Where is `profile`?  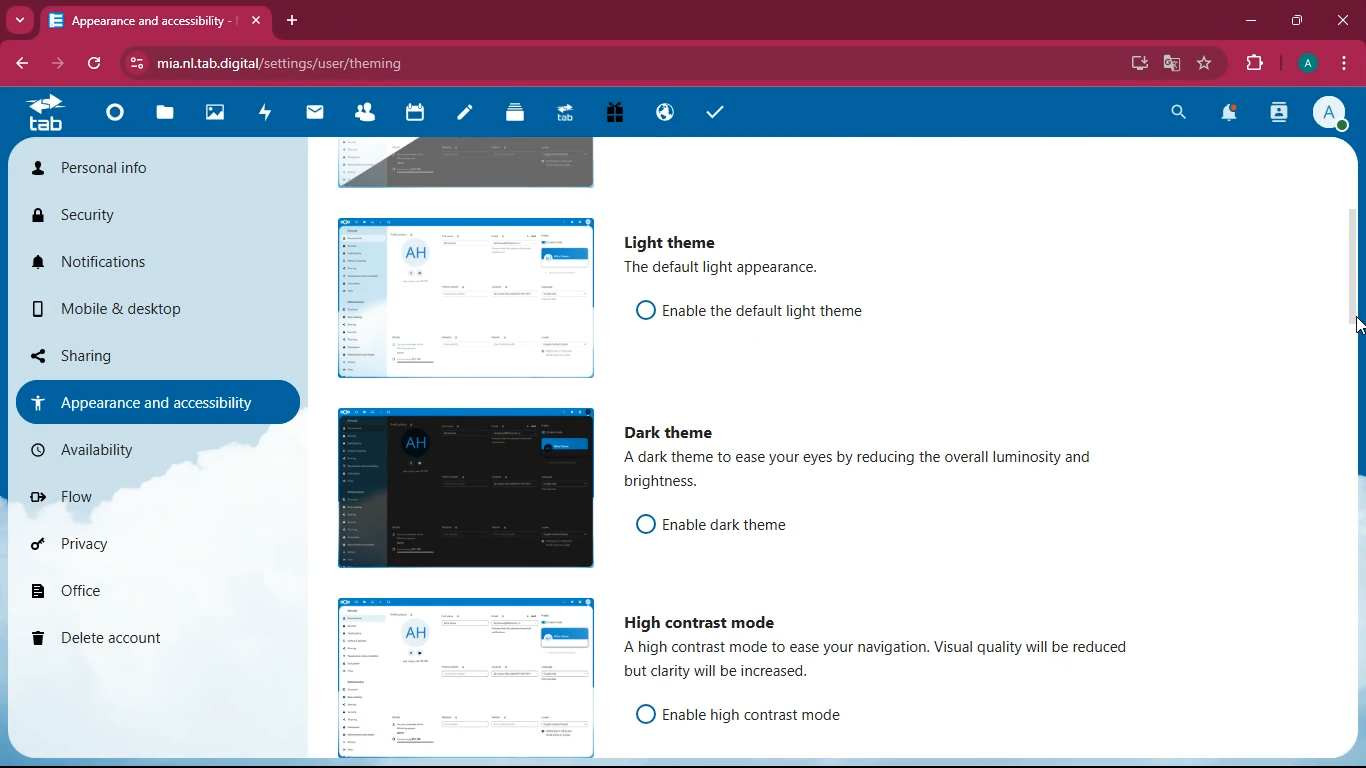
profile is located at coordinates (1331, 116).